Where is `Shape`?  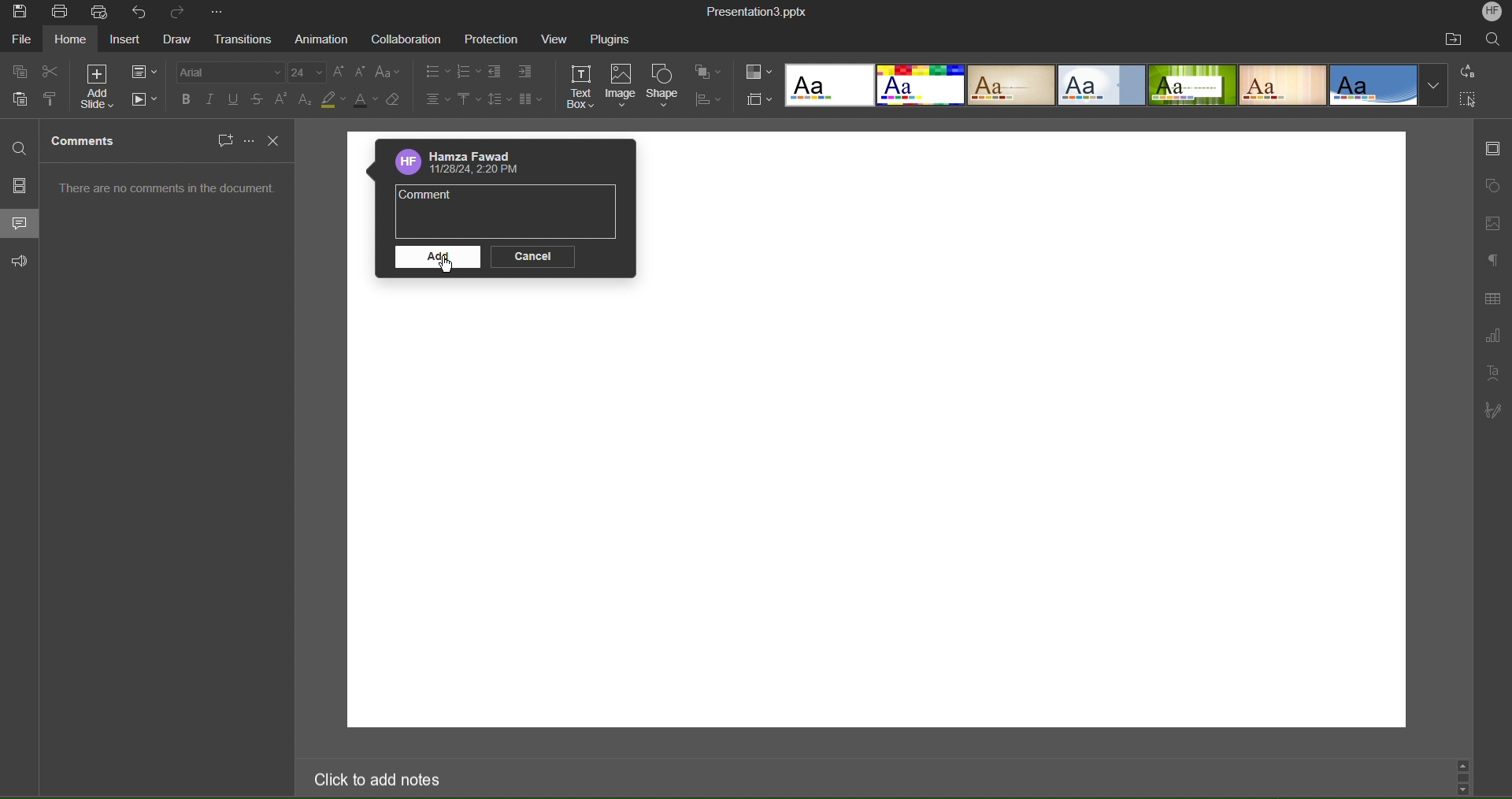
Shape is located at coordinates (666, 86).